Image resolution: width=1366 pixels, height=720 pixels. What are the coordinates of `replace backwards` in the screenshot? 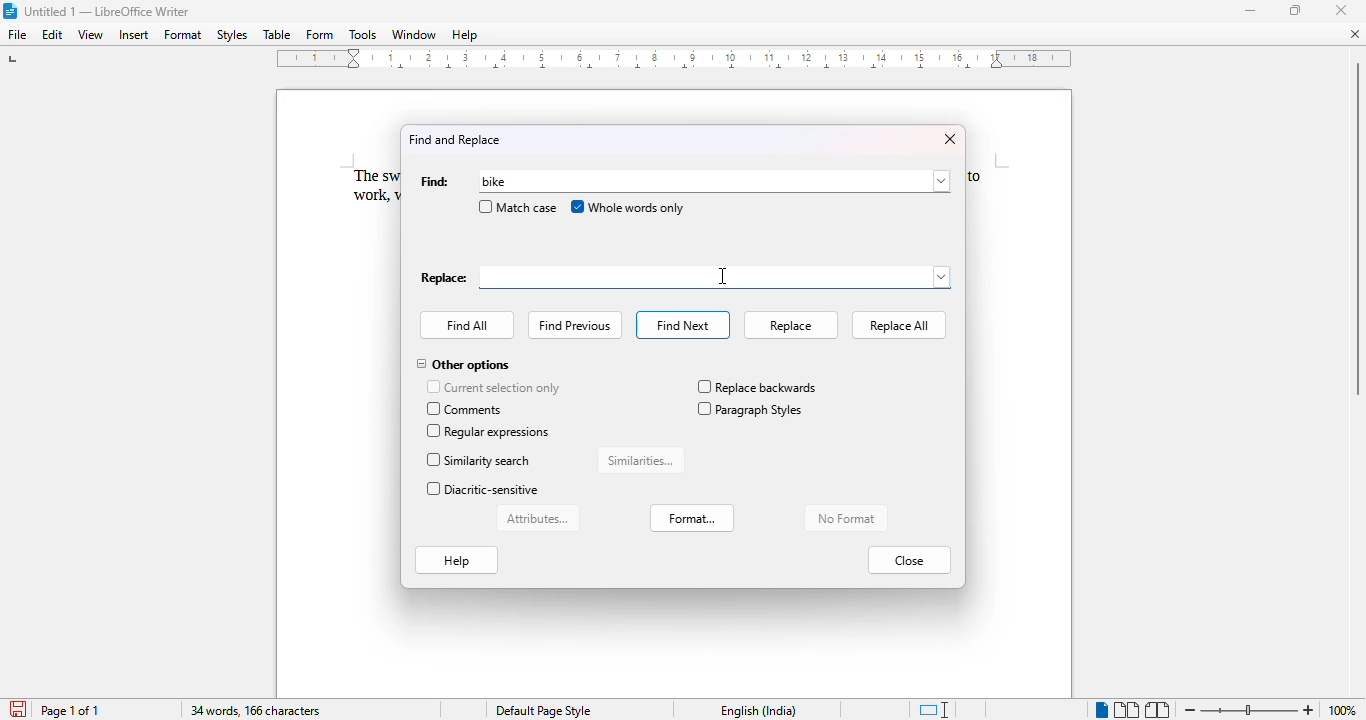 It's located at (756, 387).